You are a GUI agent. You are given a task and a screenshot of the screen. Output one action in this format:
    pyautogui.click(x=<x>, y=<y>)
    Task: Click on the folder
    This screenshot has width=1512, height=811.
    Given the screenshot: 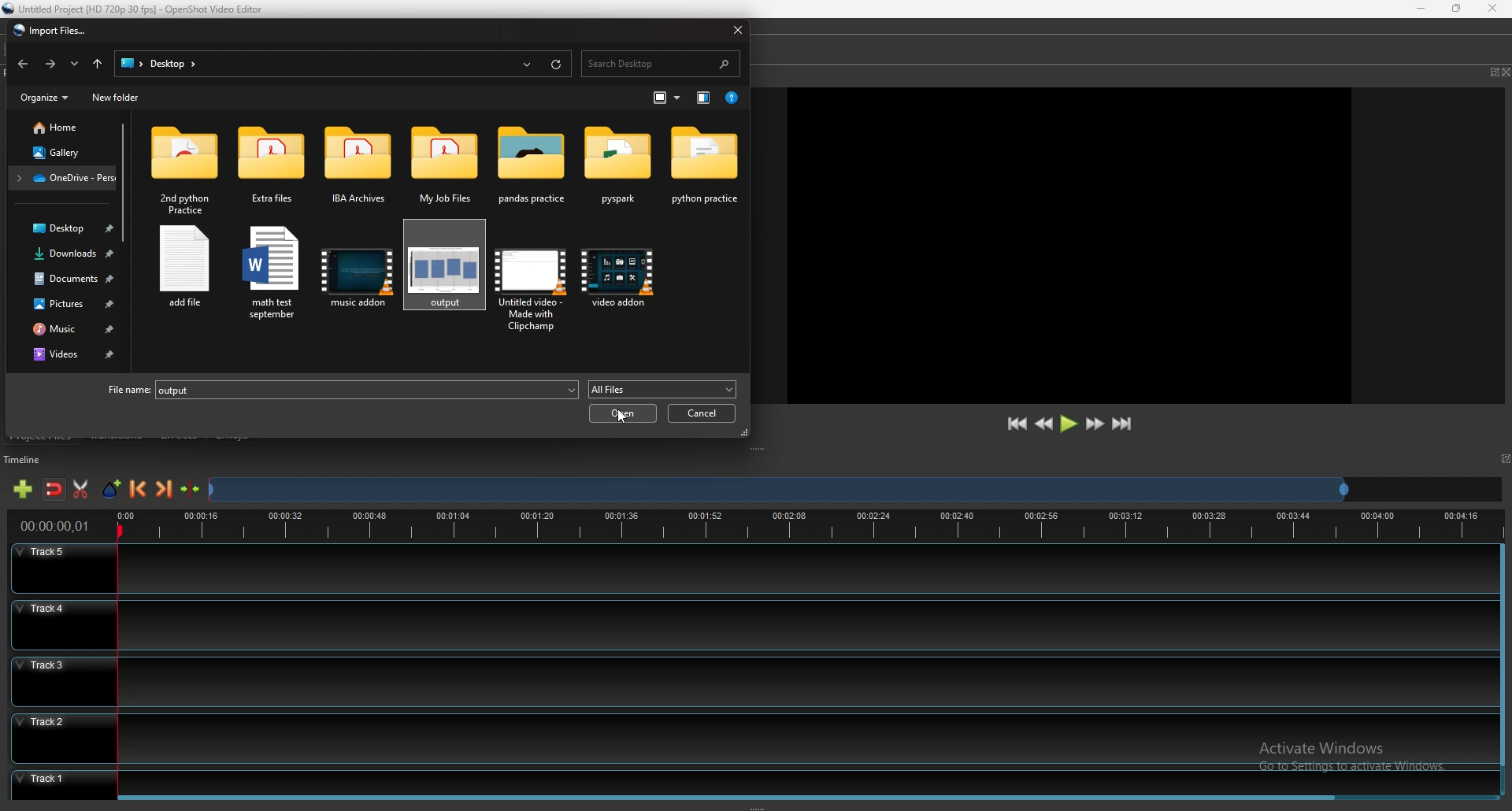 What is the action you would take?
    pyautogui.click(x=618, y=169)
    